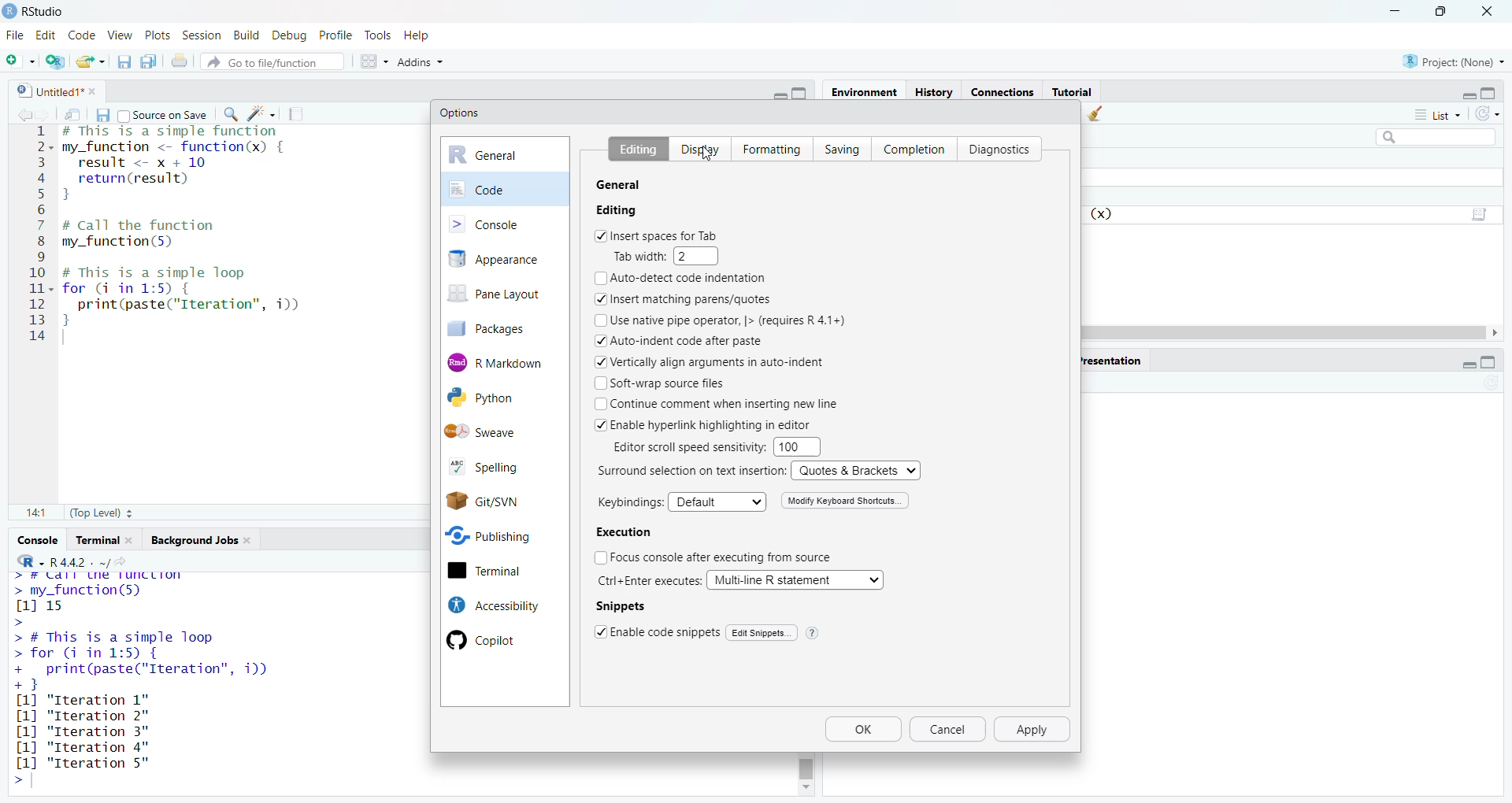 The height and width of the screenshot is (803, 1512). I want to click on Tutorial, so click(1073, 91).